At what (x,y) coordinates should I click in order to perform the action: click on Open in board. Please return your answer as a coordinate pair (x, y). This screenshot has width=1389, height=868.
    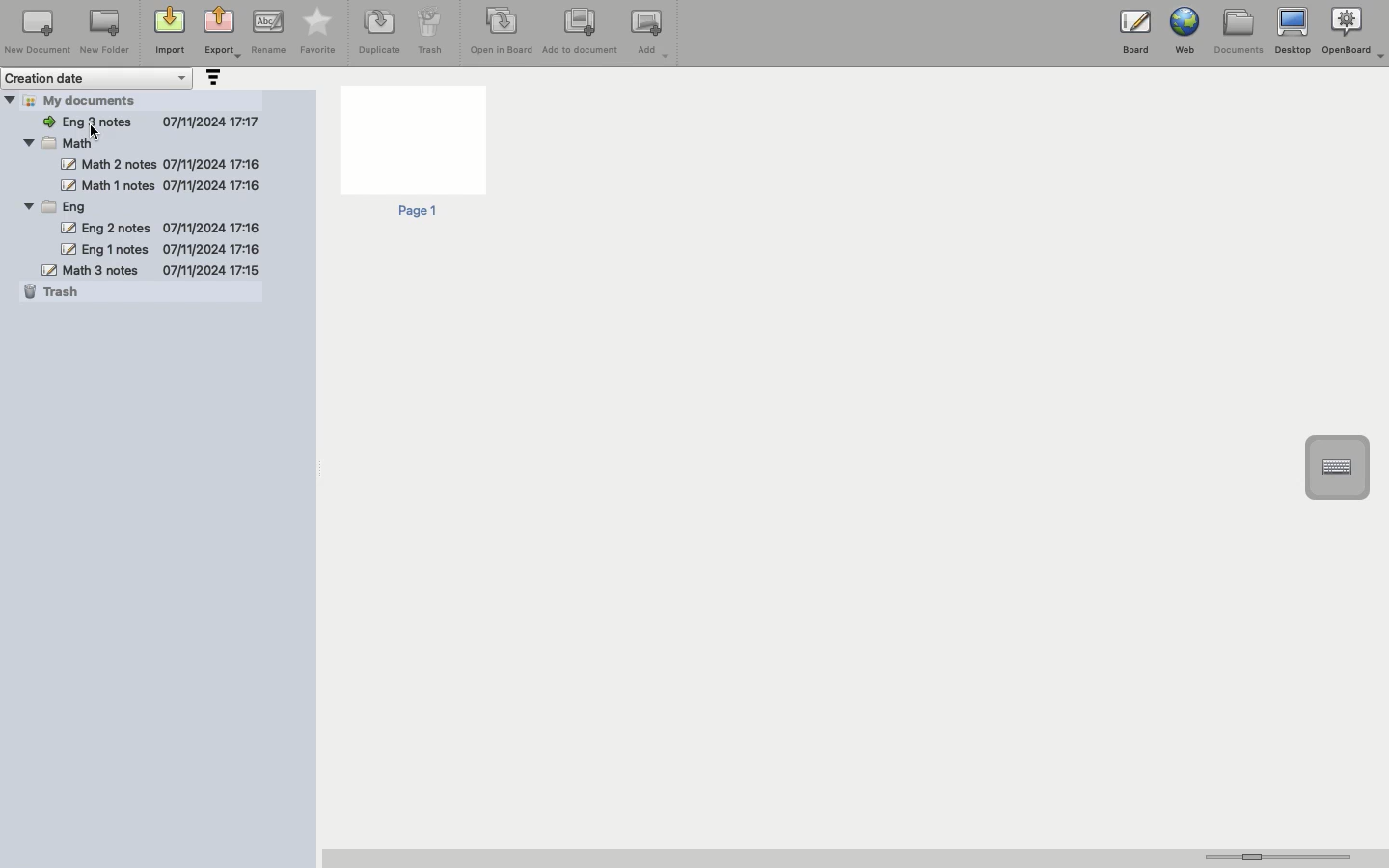
    Looking at the image, I should click on (502, 30).